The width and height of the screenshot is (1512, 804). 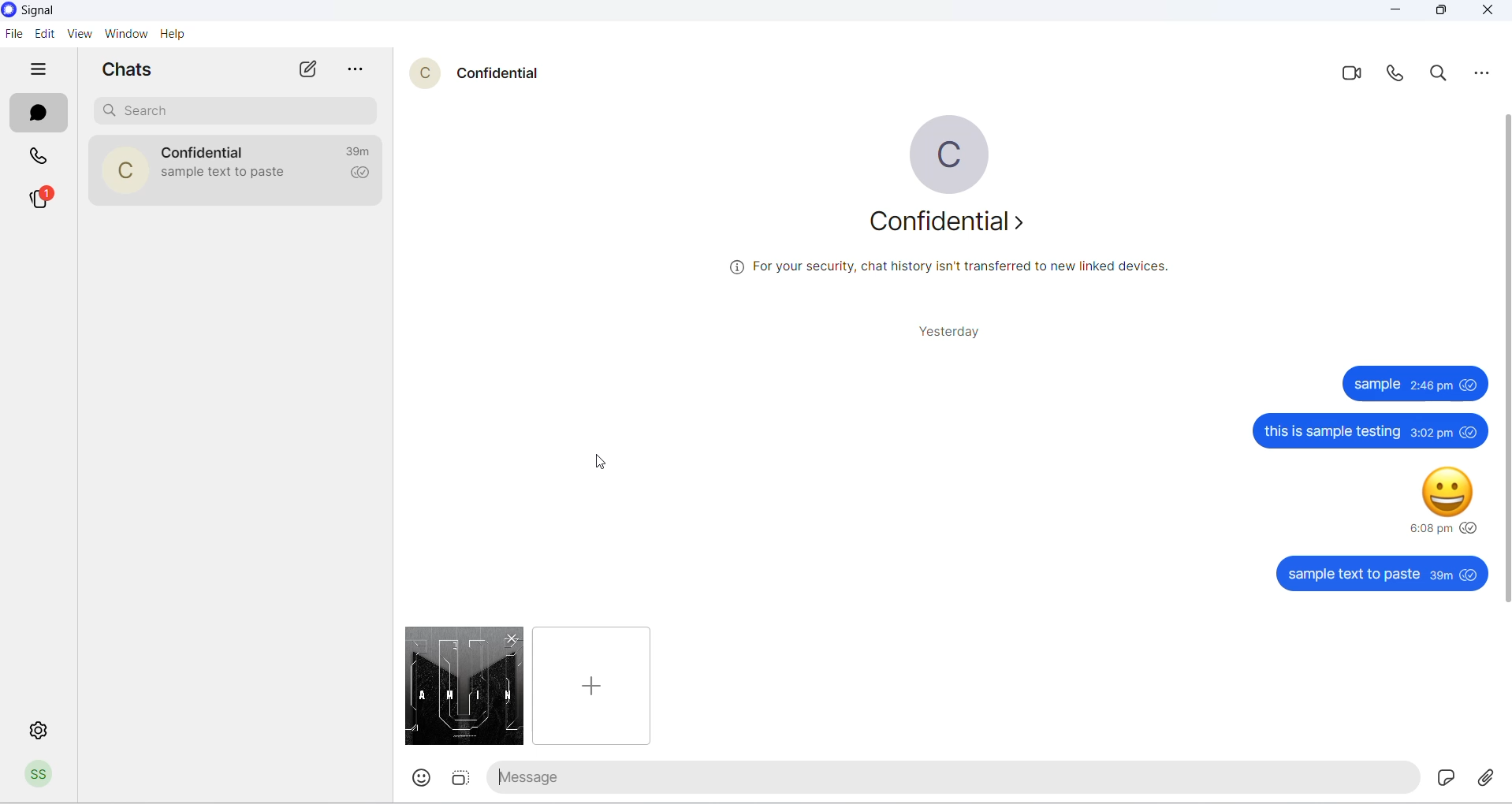 I want to click on contact name, so click(x=207, y=150).